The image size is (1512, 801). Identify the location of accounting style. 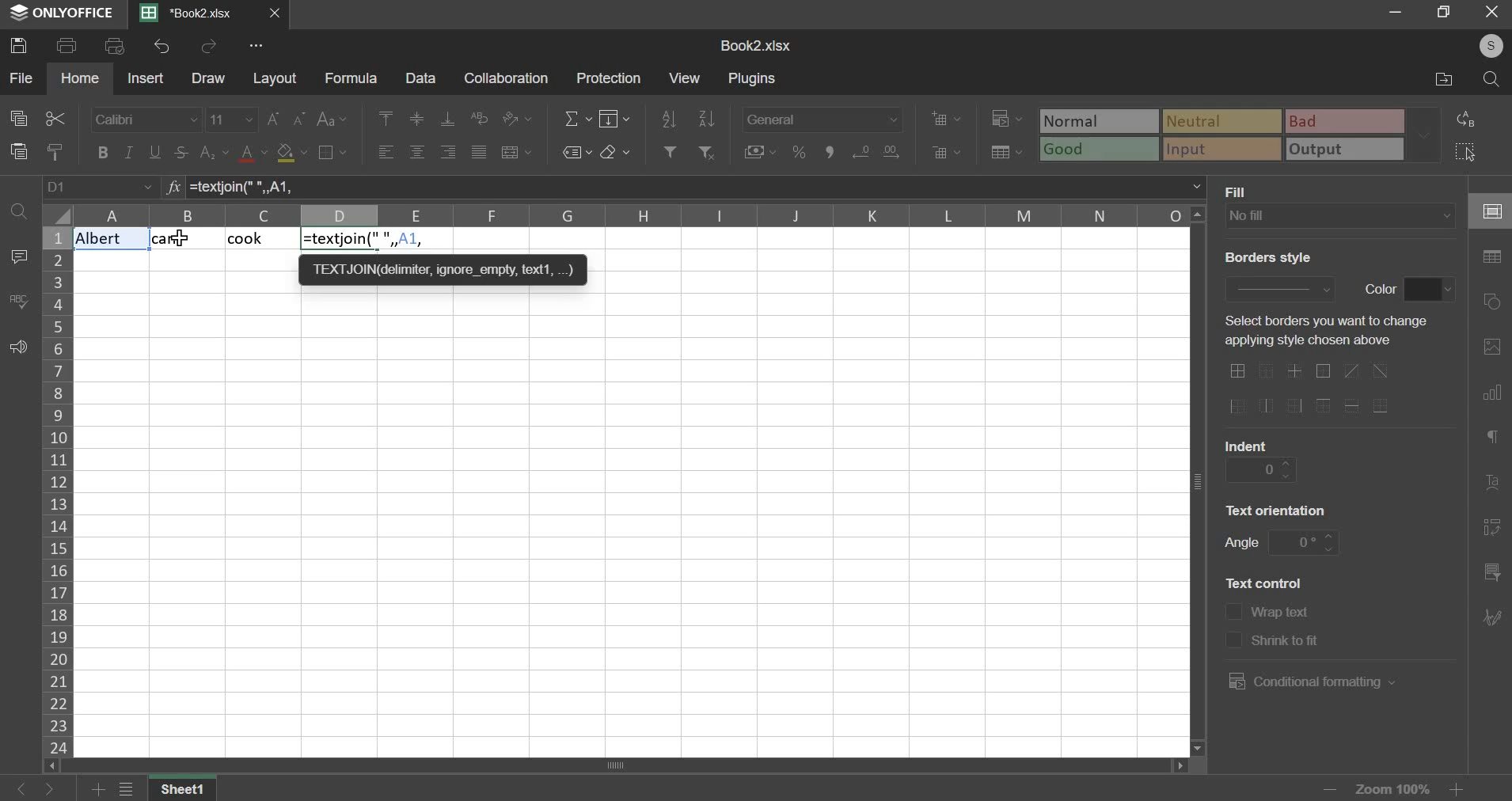
(761, 151).